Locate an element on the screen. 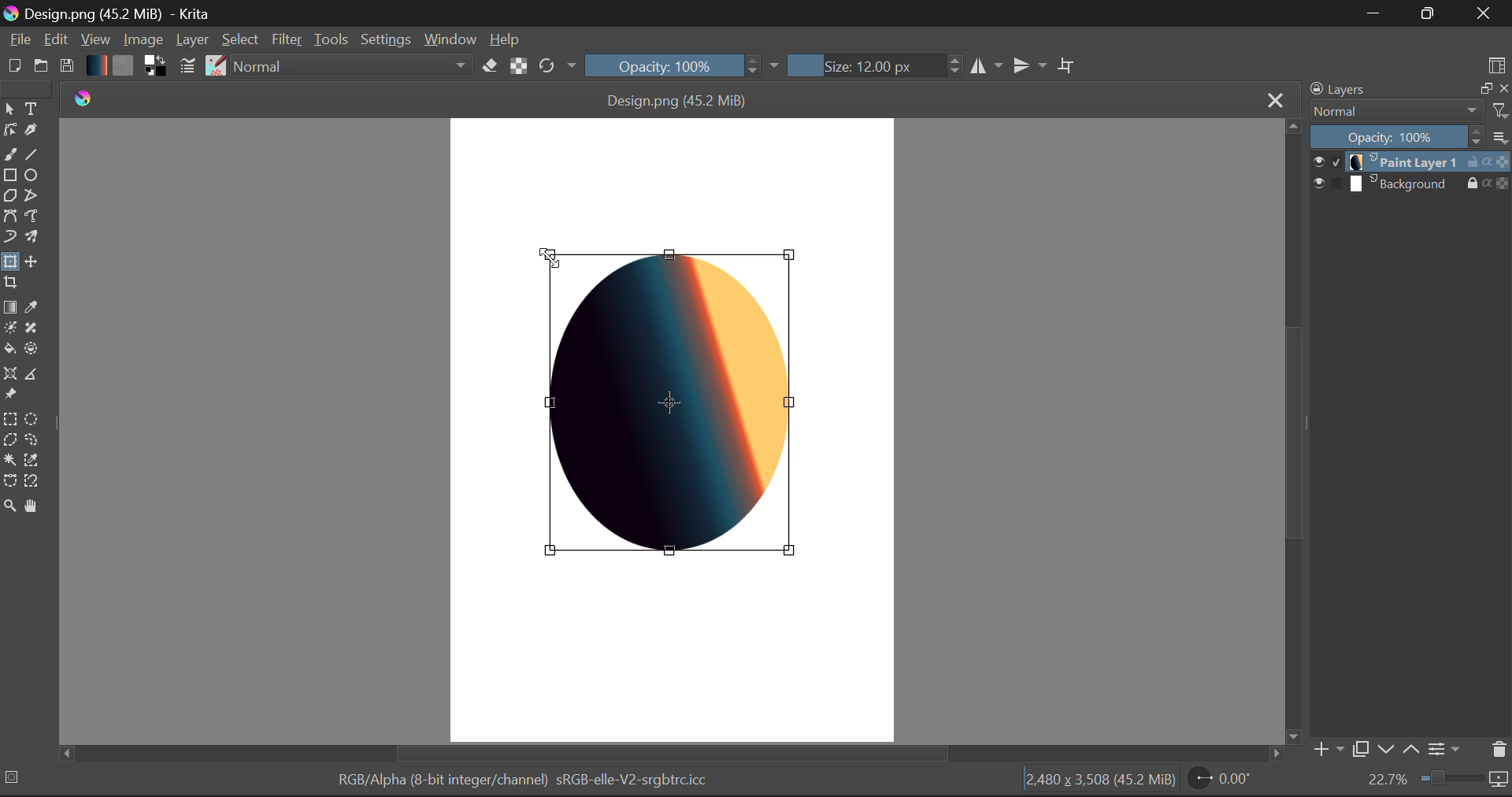  Zoom is located at coordinates (9, 509).